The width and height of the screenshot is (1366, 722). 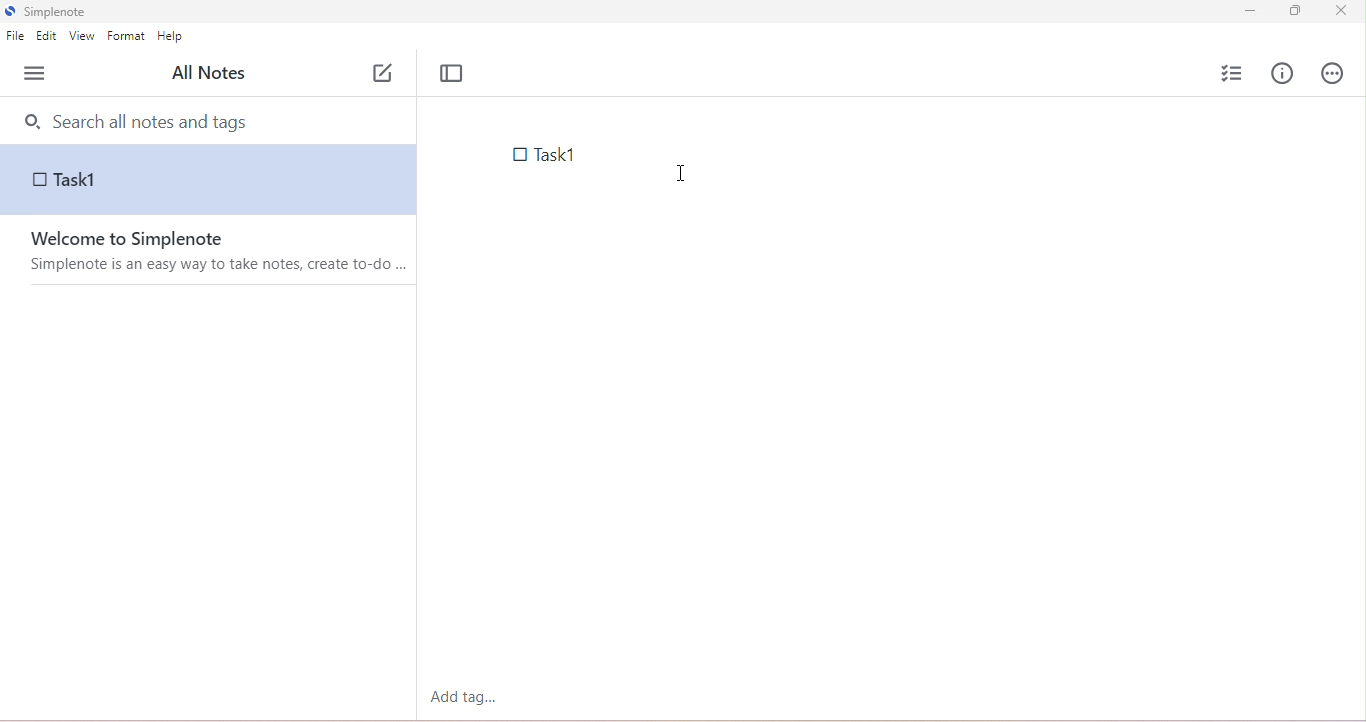 I want to click on toggle focus mode, so click(x=452, y=74).